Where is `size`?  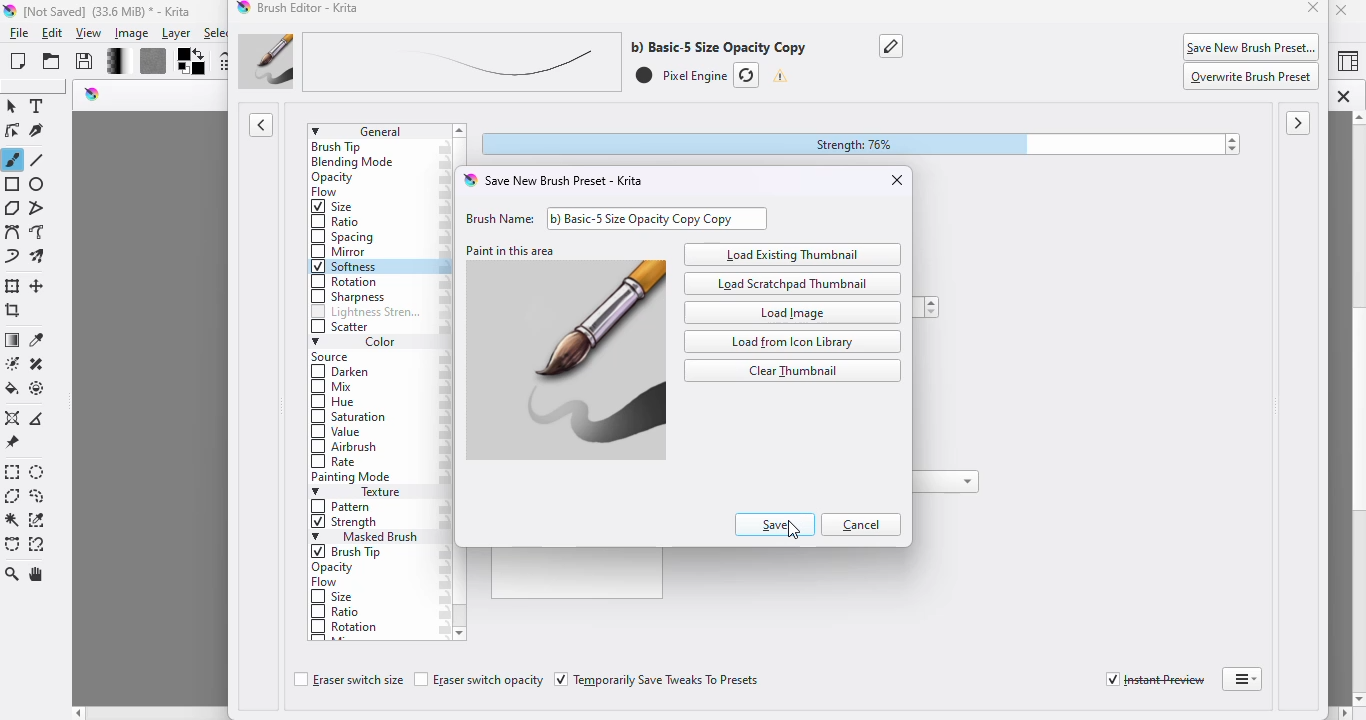
size is located at coordinates (333, 597).